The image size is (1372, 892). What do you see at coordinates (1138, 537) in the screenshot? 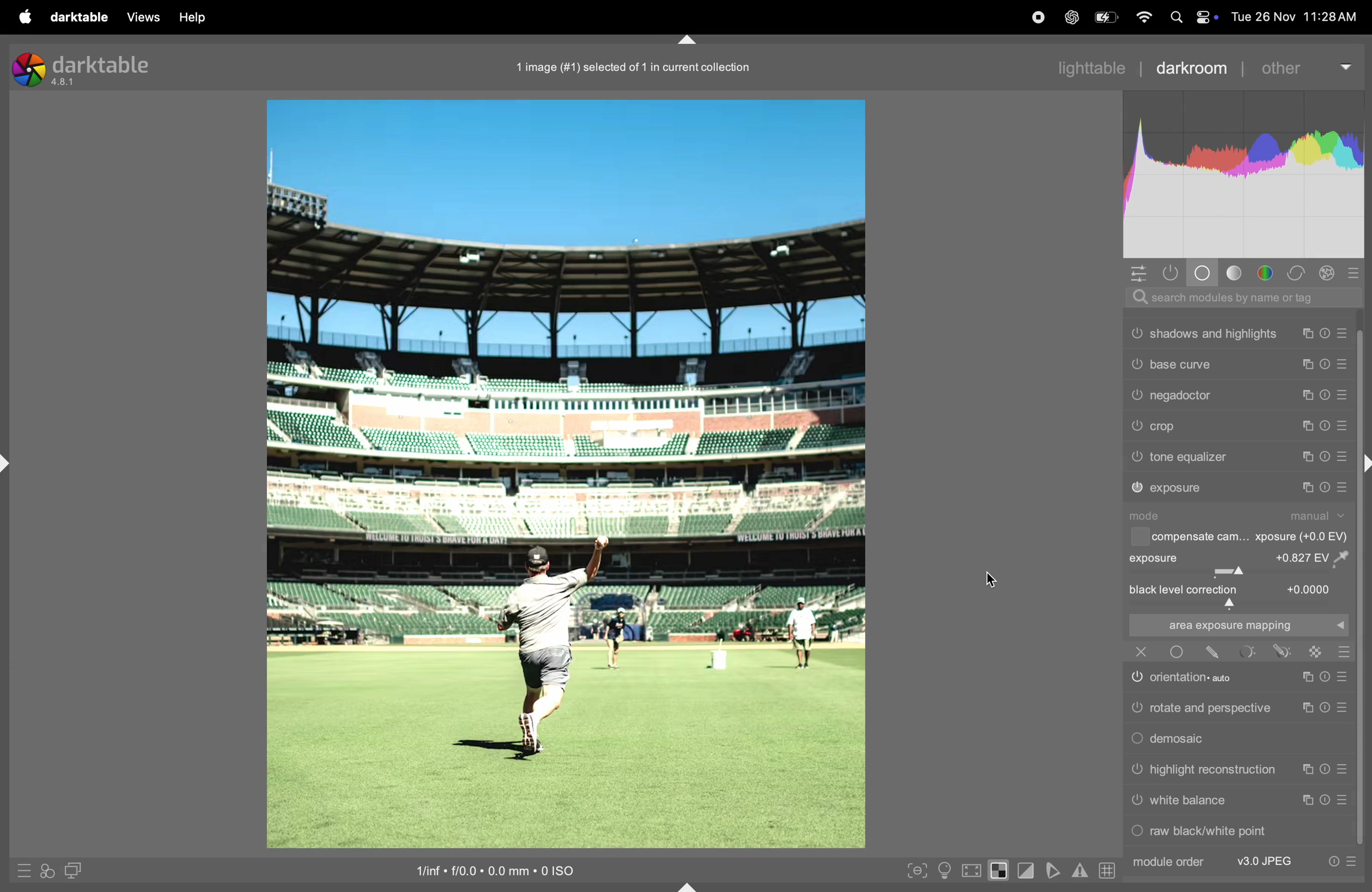
I see `Checkbox ` at bounding box center [1138, 537].